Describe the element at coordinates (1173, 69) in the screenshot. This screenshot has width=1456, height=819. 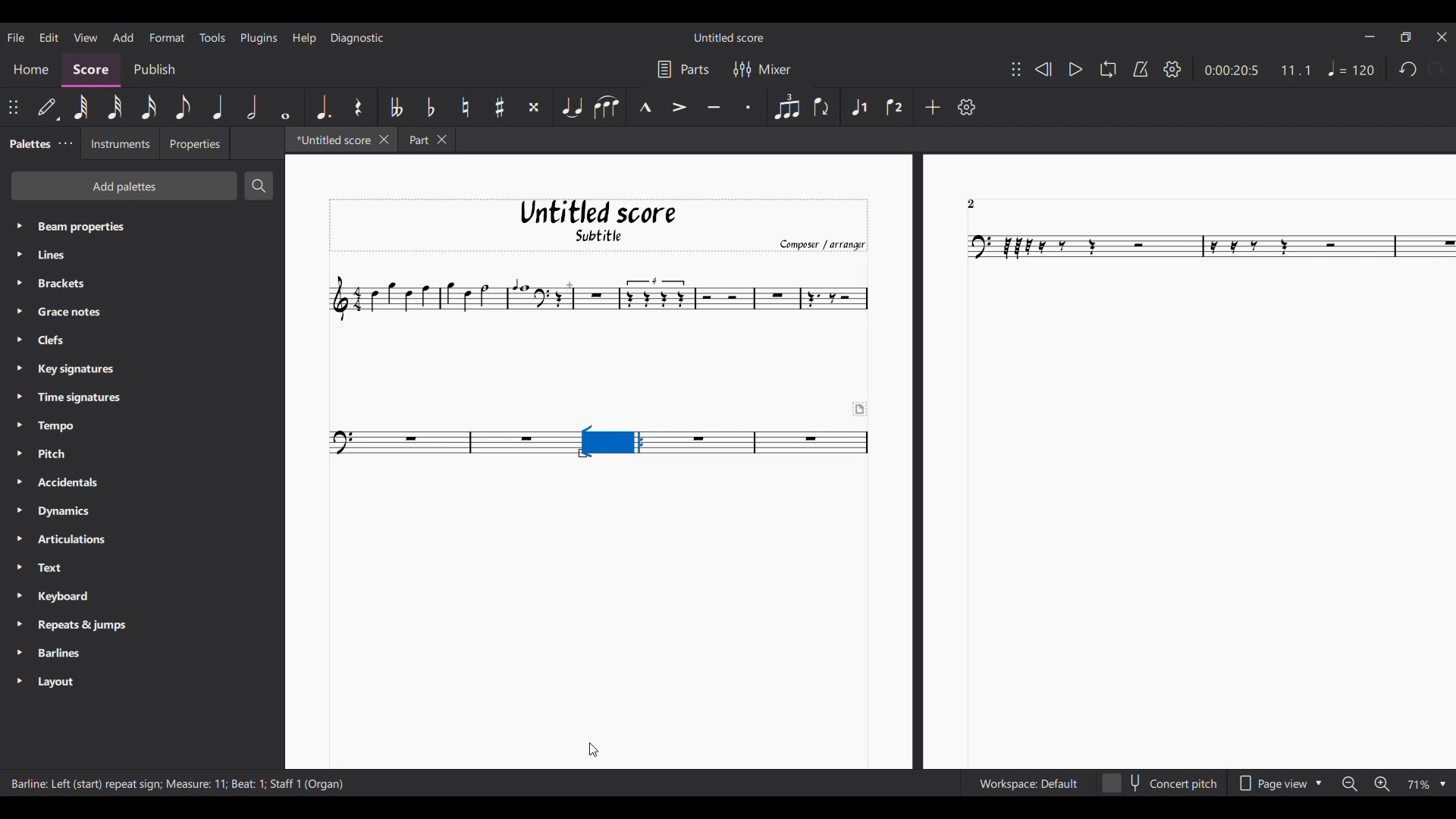
I see `Settings` at that location.